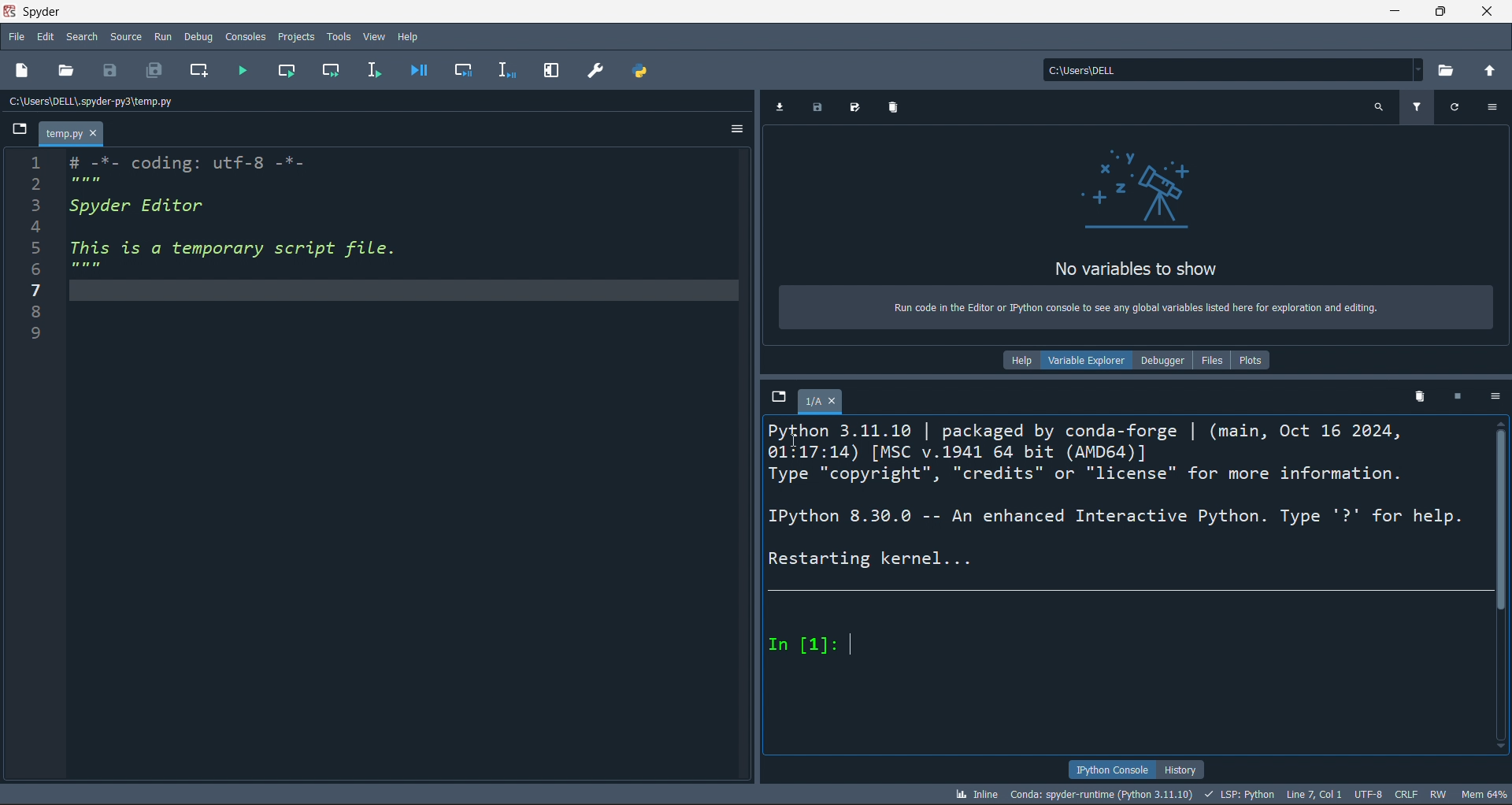  Describe the element at coordinates (110, 72) in the screenshot. I see `save` at that location.